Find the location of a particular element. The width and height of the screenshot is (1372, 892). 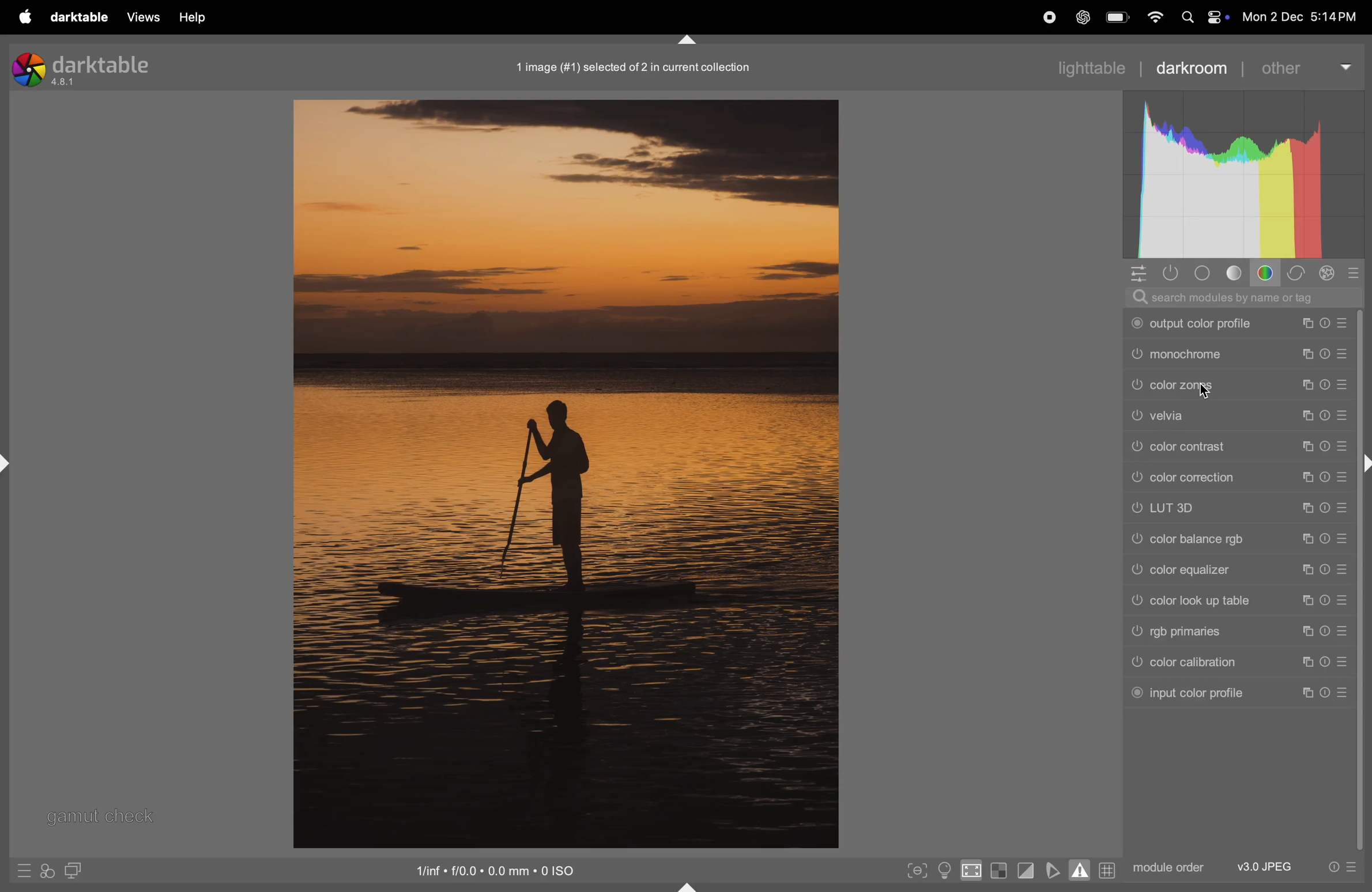

color rgb balance is located at coordinates (1203, 542).